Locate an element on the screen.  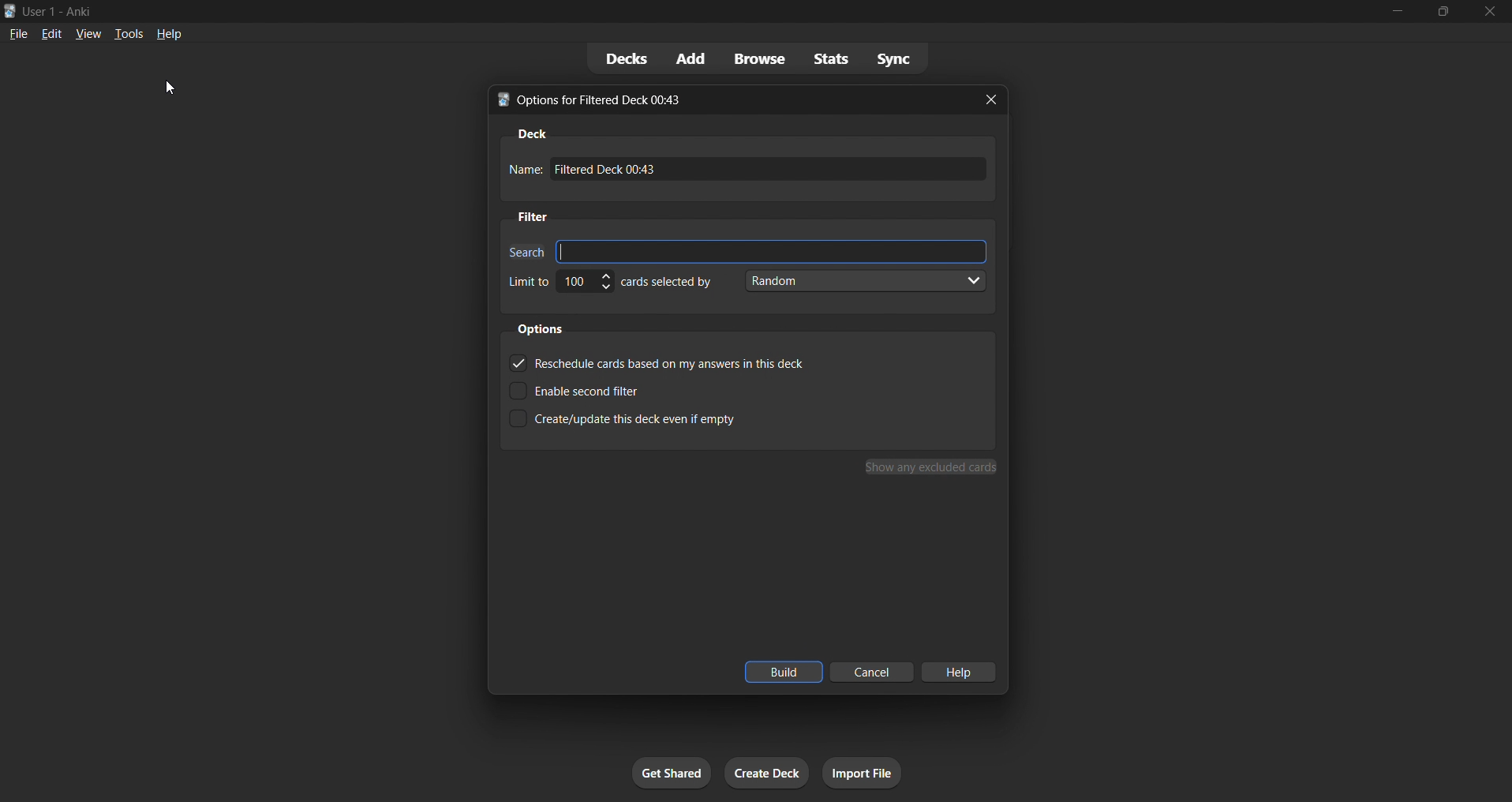
empty box is located at coordinates (773, 249).